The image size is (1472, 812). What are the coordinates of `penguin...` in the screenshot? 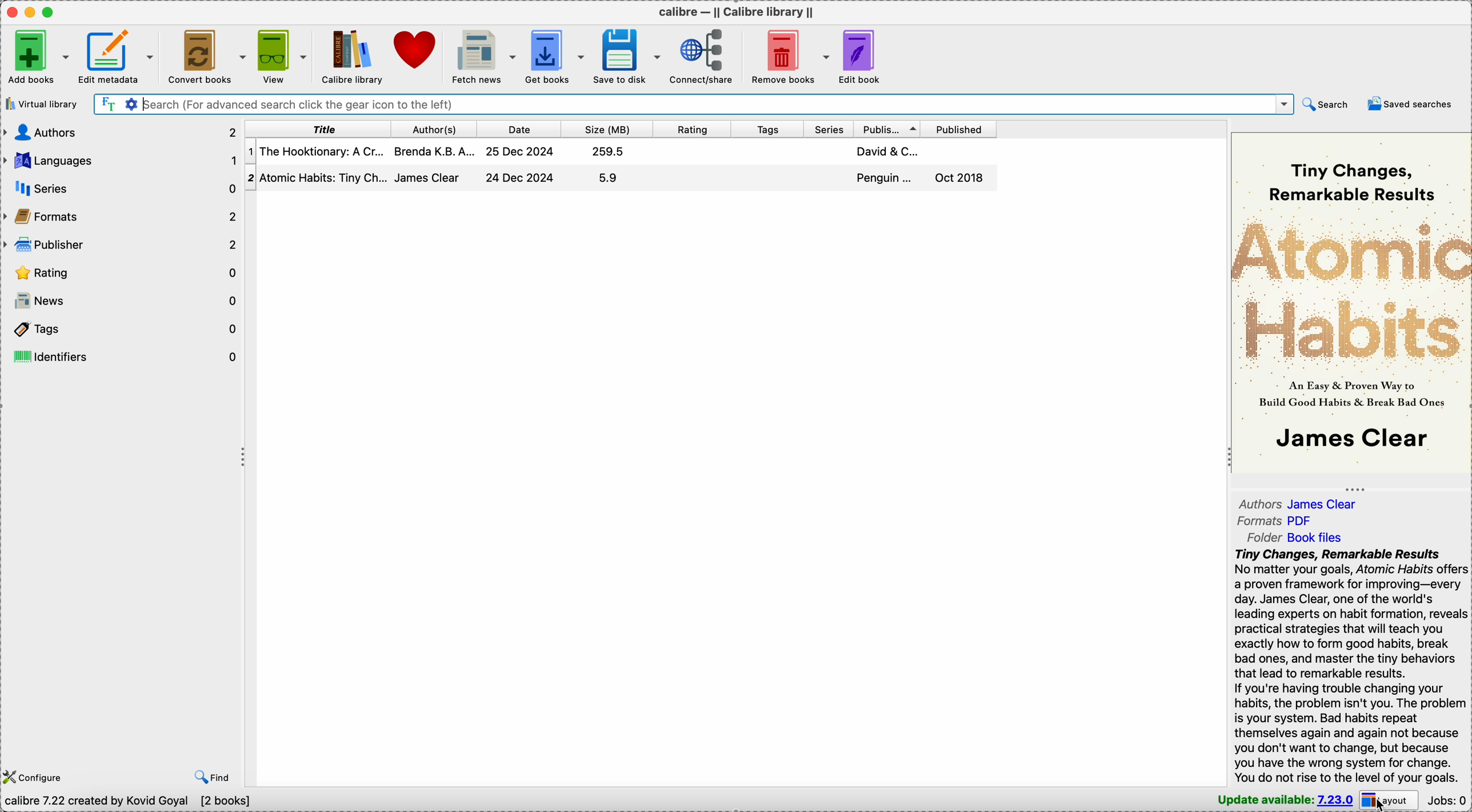 It's located at (885, 178).